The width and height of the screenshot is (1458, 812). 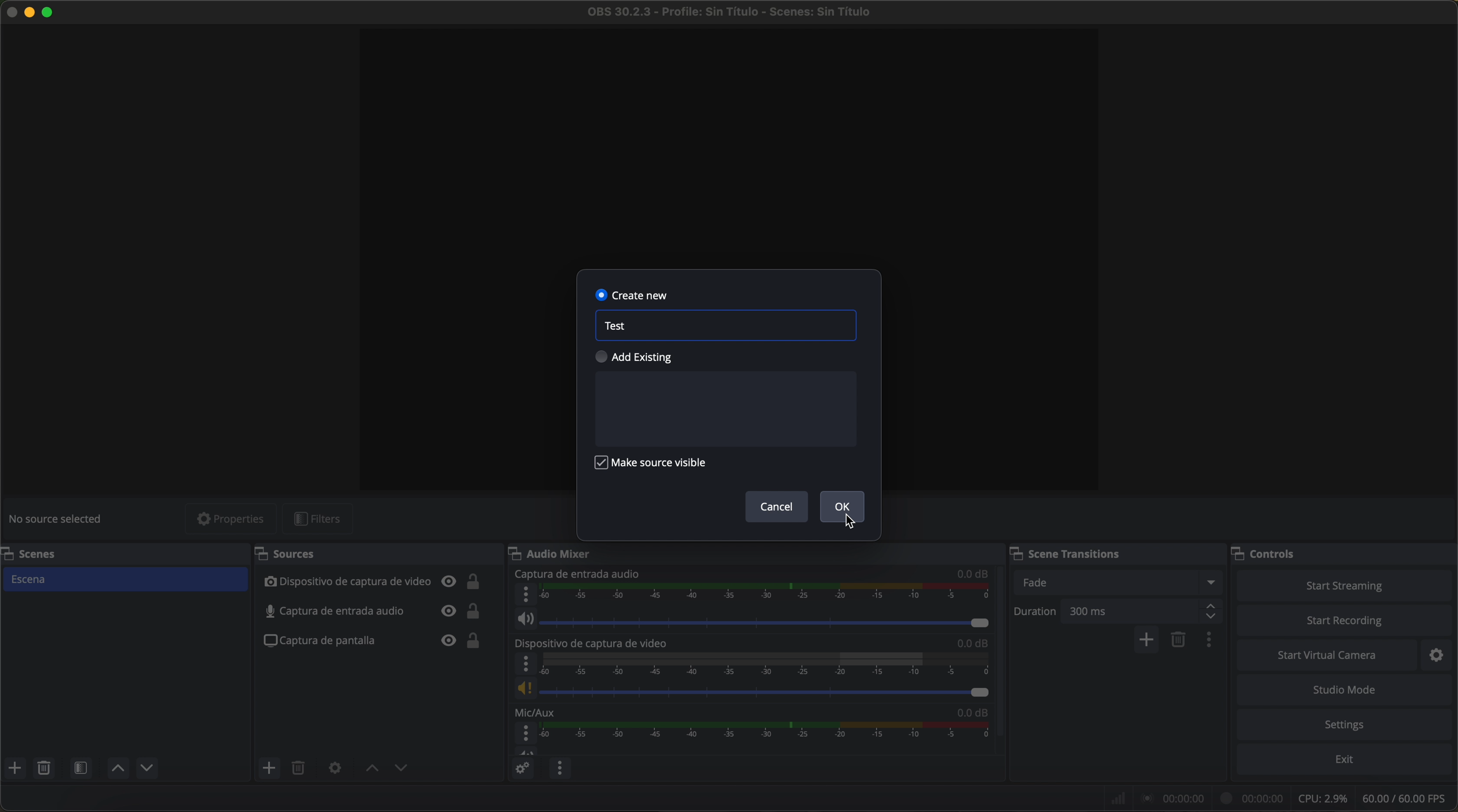 What do you see at coordinates (1348, 725) in the screenshot?
I see `settings` at bounding box center [1348, 725].